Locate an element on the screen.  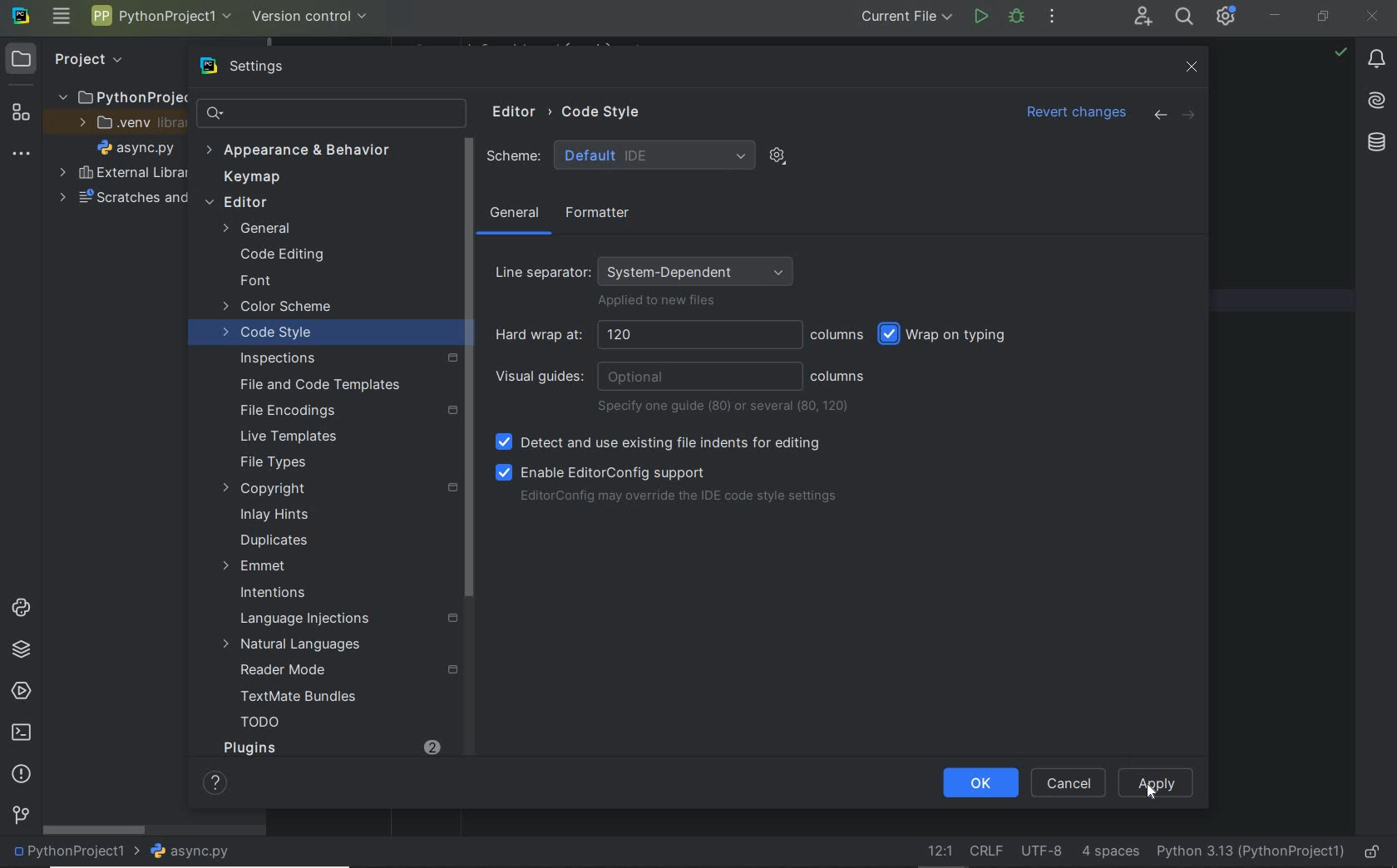
settings is located at coordinates (264, 67).